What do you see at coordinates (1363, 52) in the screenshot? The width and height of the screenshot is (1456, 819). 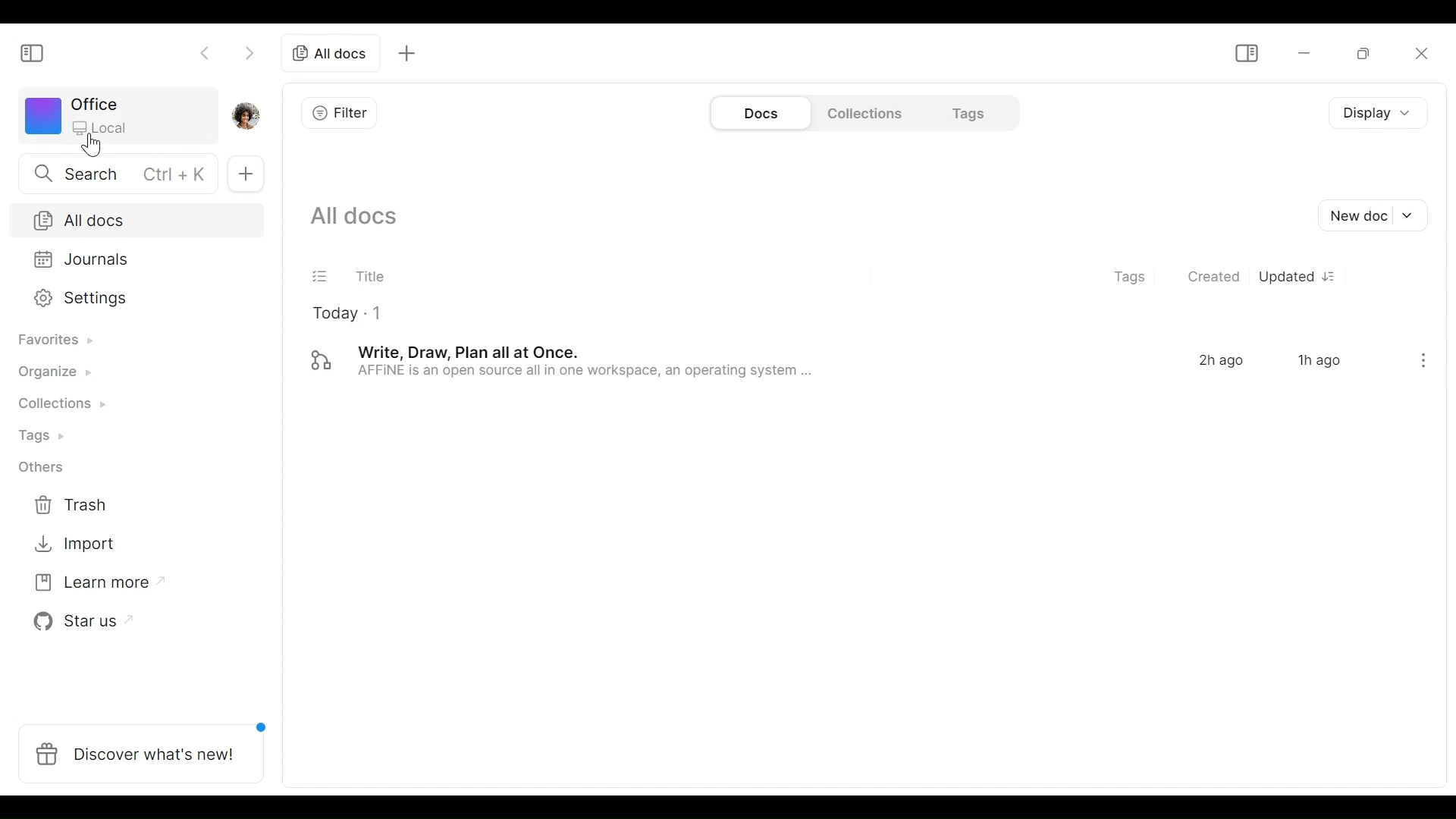 I see `Restore` at bounding box center [1363, 52].